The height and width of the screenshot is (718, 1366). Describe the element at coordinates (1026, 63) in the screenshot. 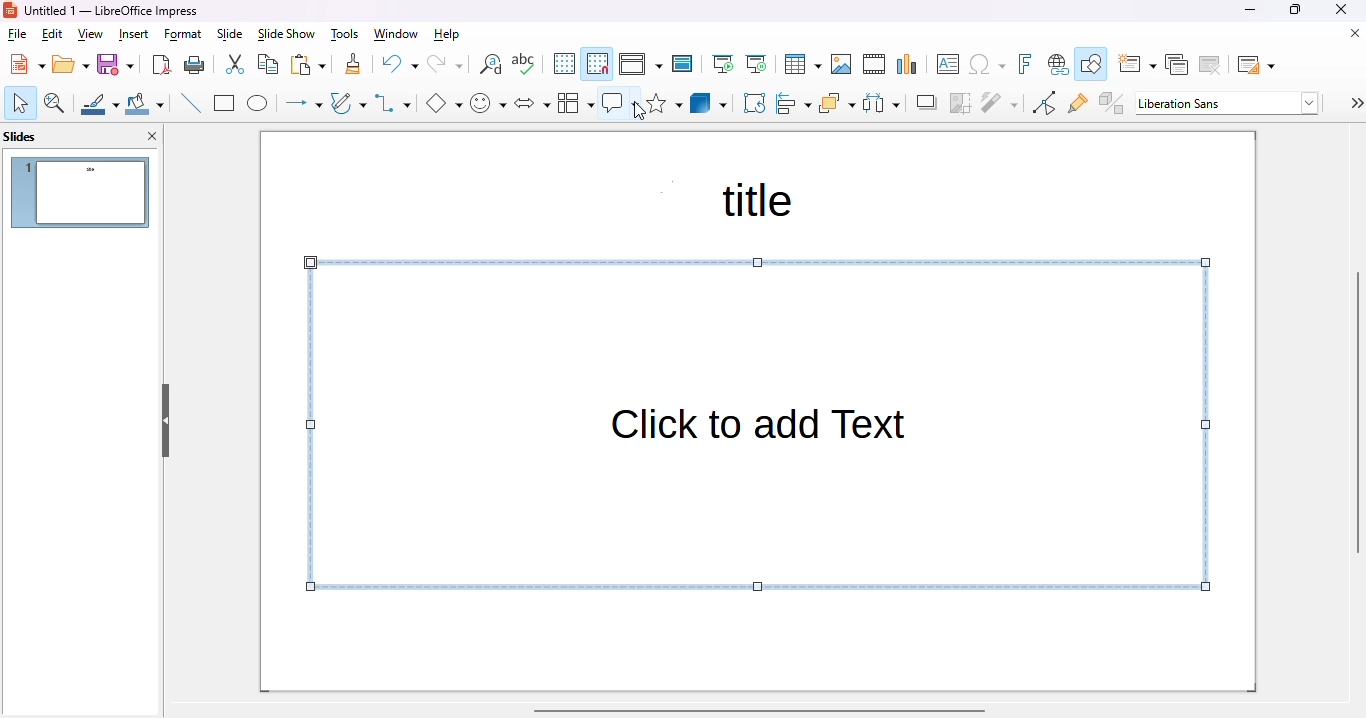

I see `insert fontwork text` at that location.